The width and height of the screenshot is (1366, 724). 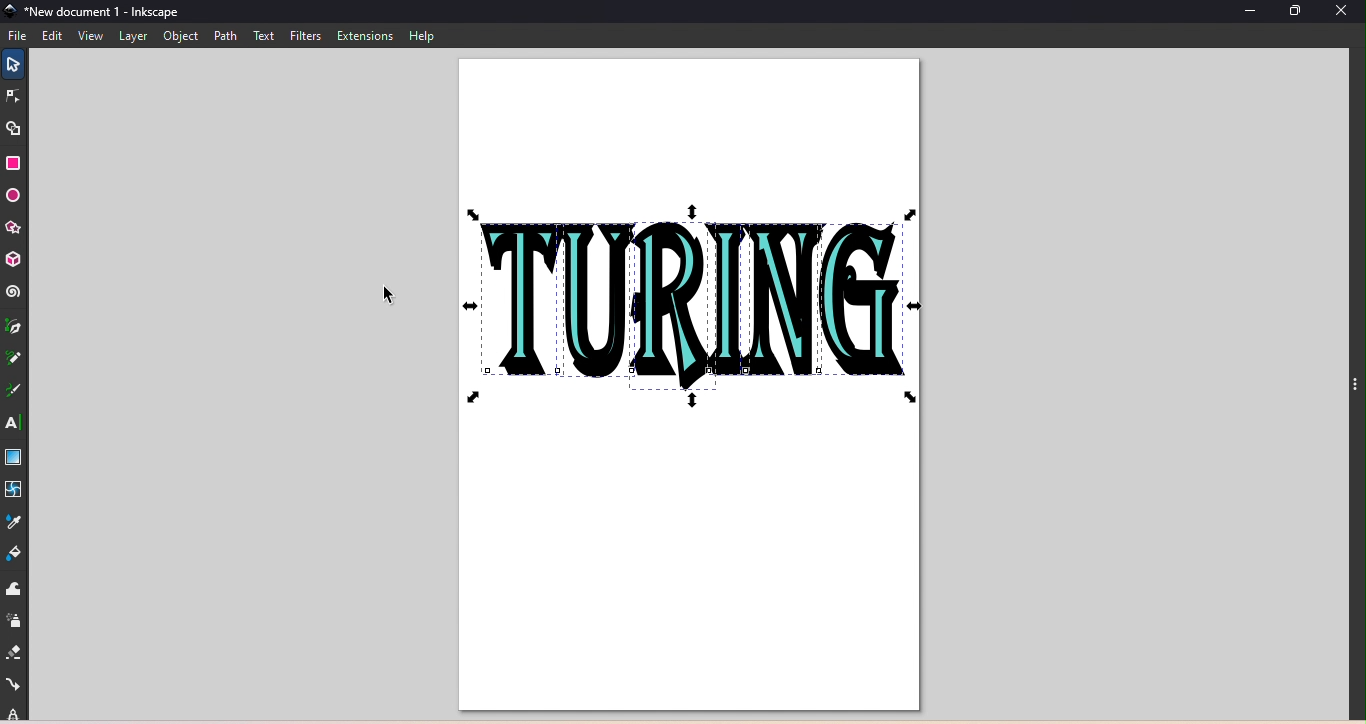 What do you see at coordinates (386, 296) in the screenshot?
I see `Cursor` at bounding box center [386, 296].